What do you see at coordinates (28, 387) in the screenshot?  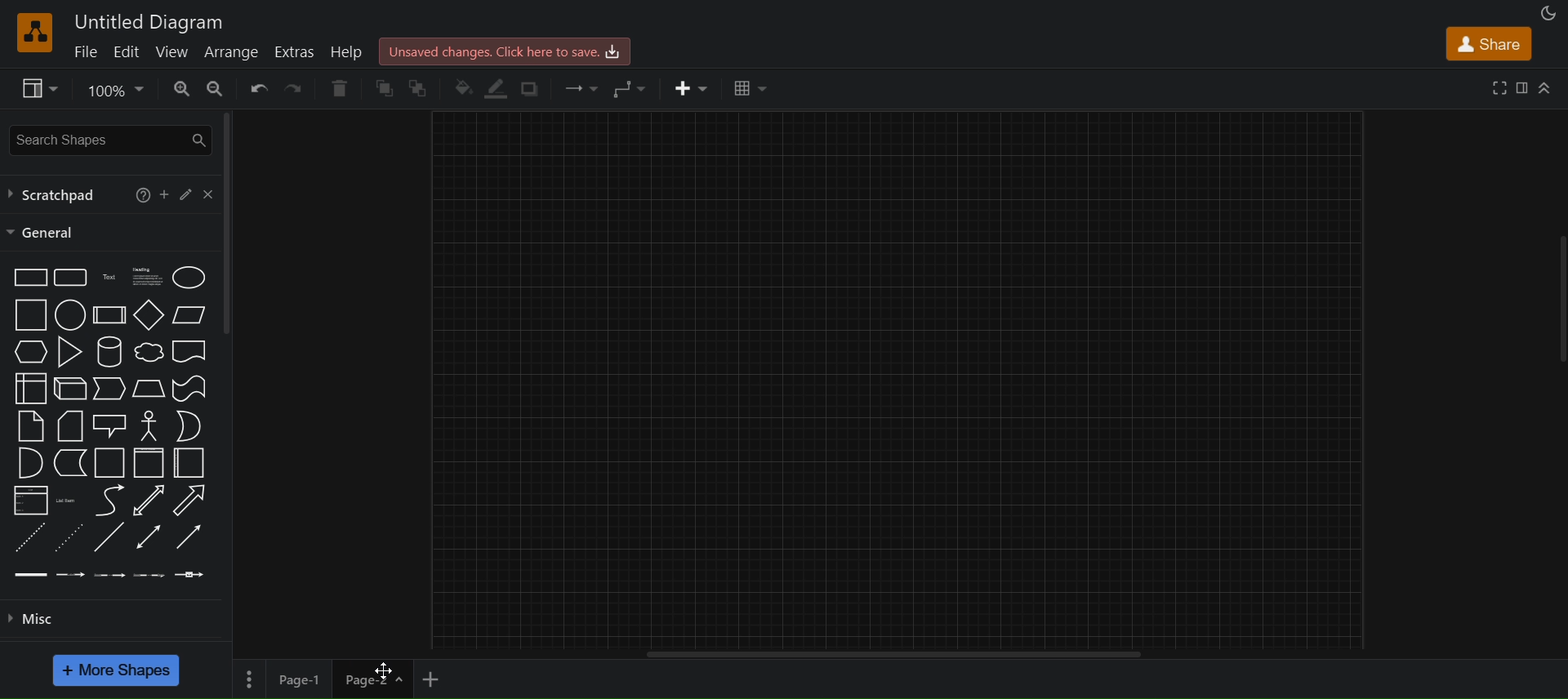 I see `internal storage` at bounding box center [28, 387].